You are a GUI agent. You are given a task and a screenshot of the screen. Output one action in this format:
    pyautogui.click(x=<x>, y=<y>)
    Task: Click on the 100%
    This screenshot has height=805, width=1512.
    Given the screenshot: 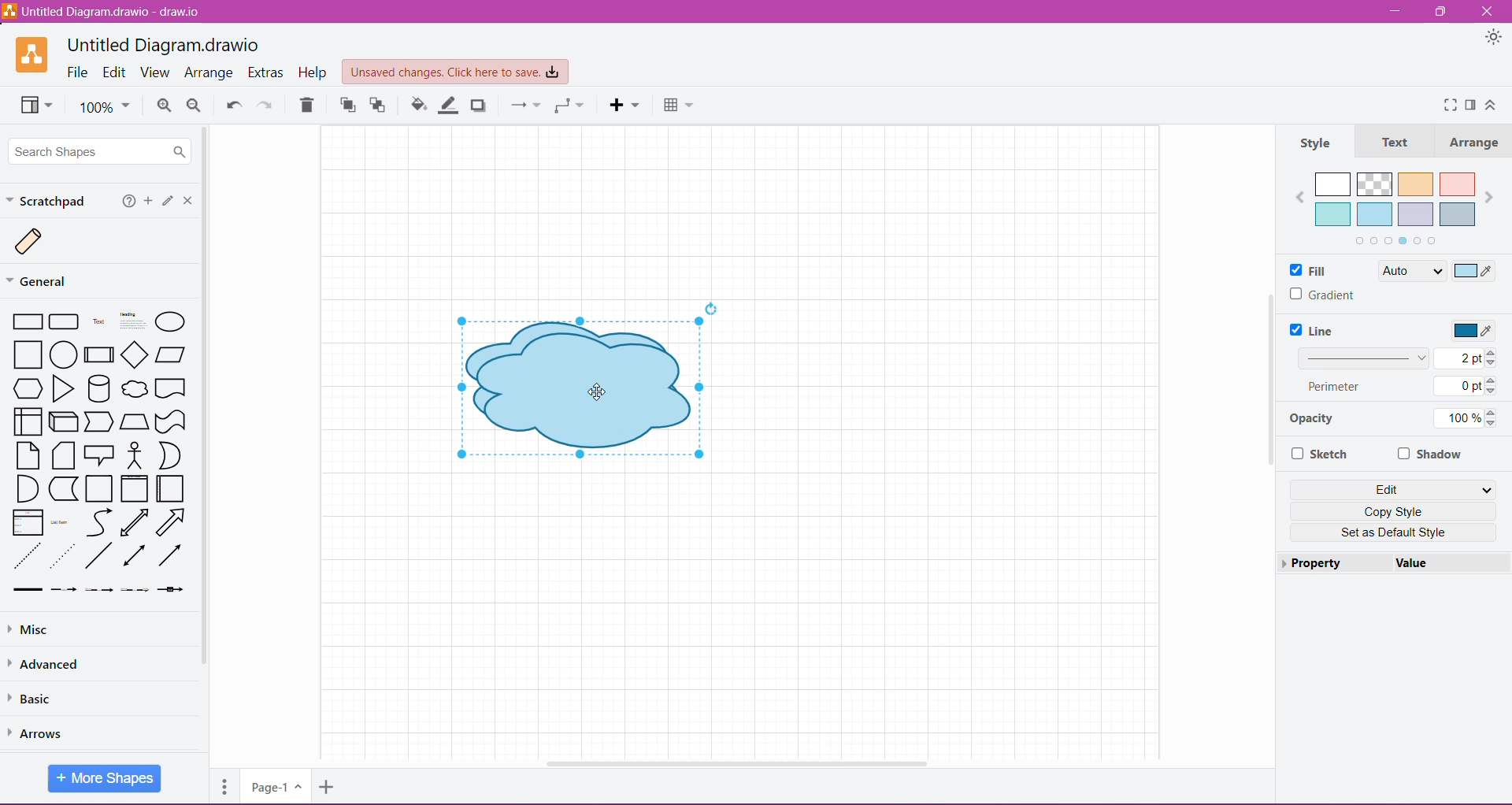 What is the action you would take?
    pyautogui.click(x=1470, y=419)
    